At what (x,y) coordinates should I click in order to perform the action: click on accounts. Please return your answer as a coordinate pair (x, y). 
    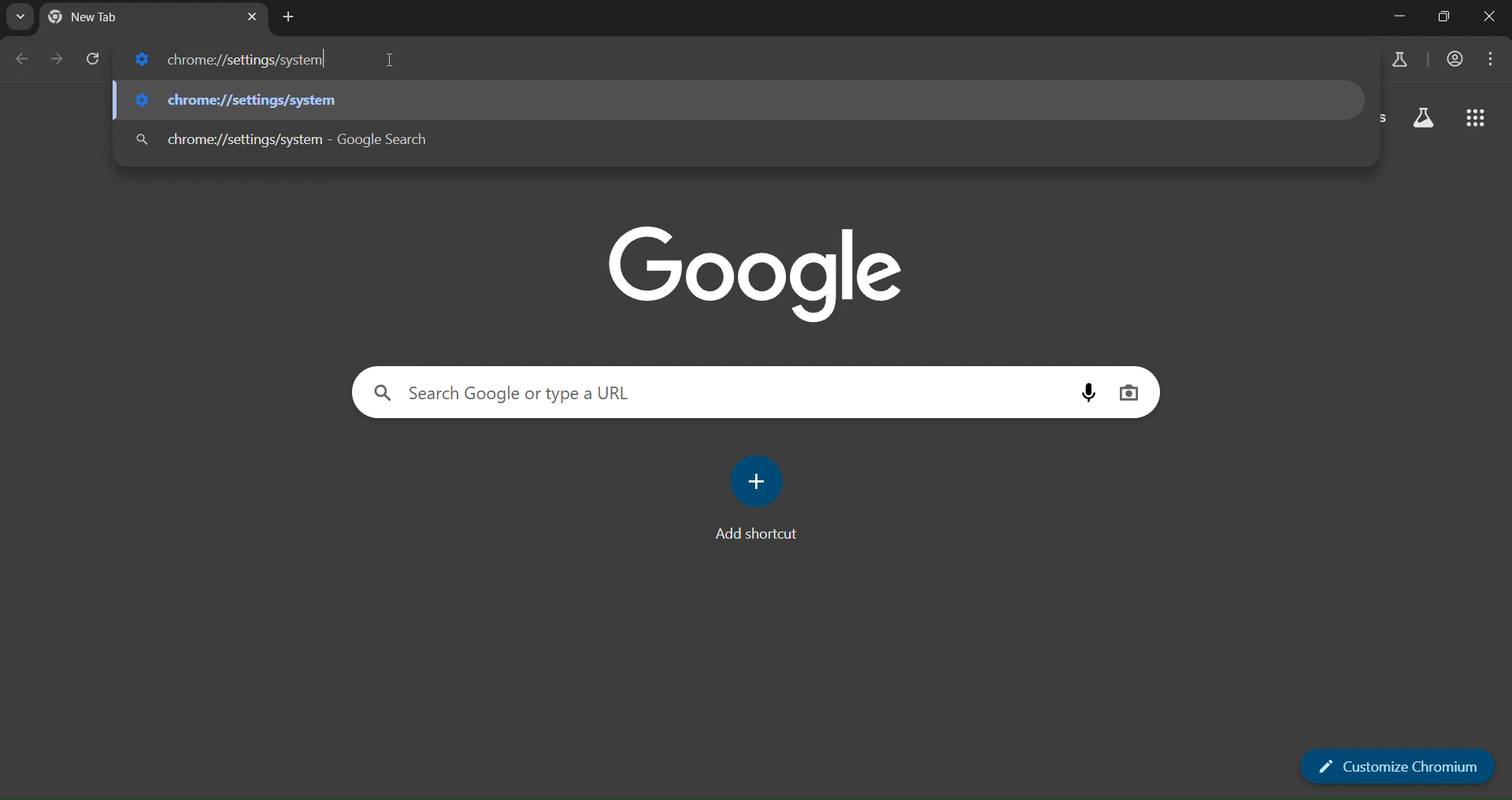
    Looking at the image, I should click on (1402, 58).